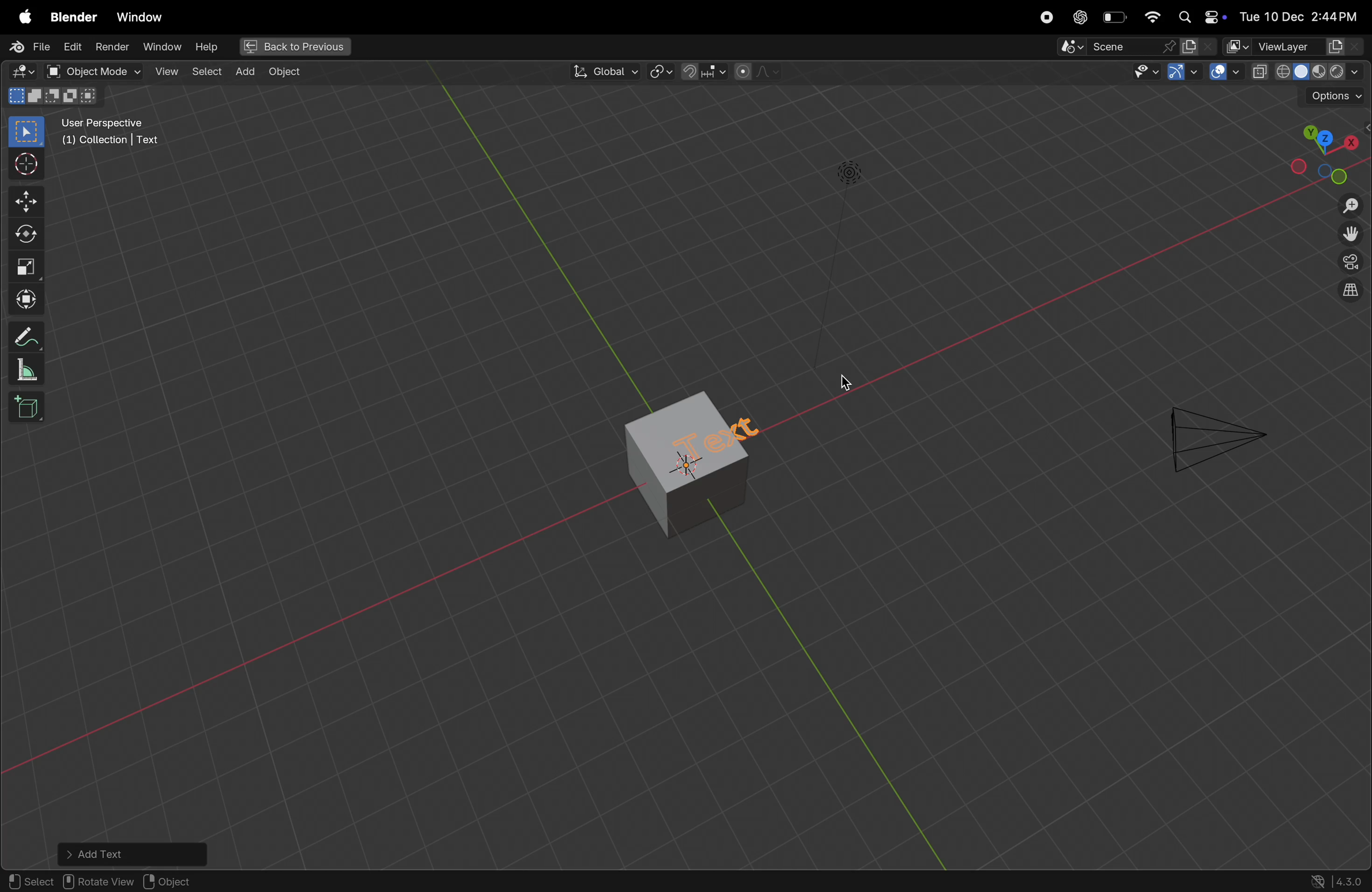 This screenshot has width=1372, height=892. What do you see at coordinates (658, 73) in the screenshot?
I see `pviot point` at bounding box center [658, 73].